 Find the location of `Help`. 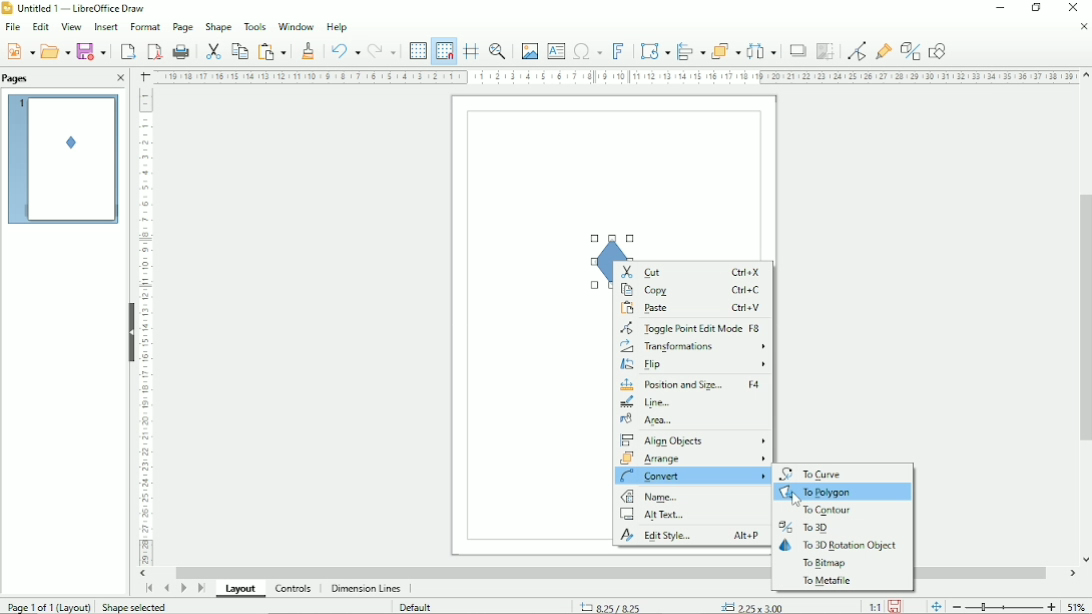

Help is located at coordinates (338, 26).